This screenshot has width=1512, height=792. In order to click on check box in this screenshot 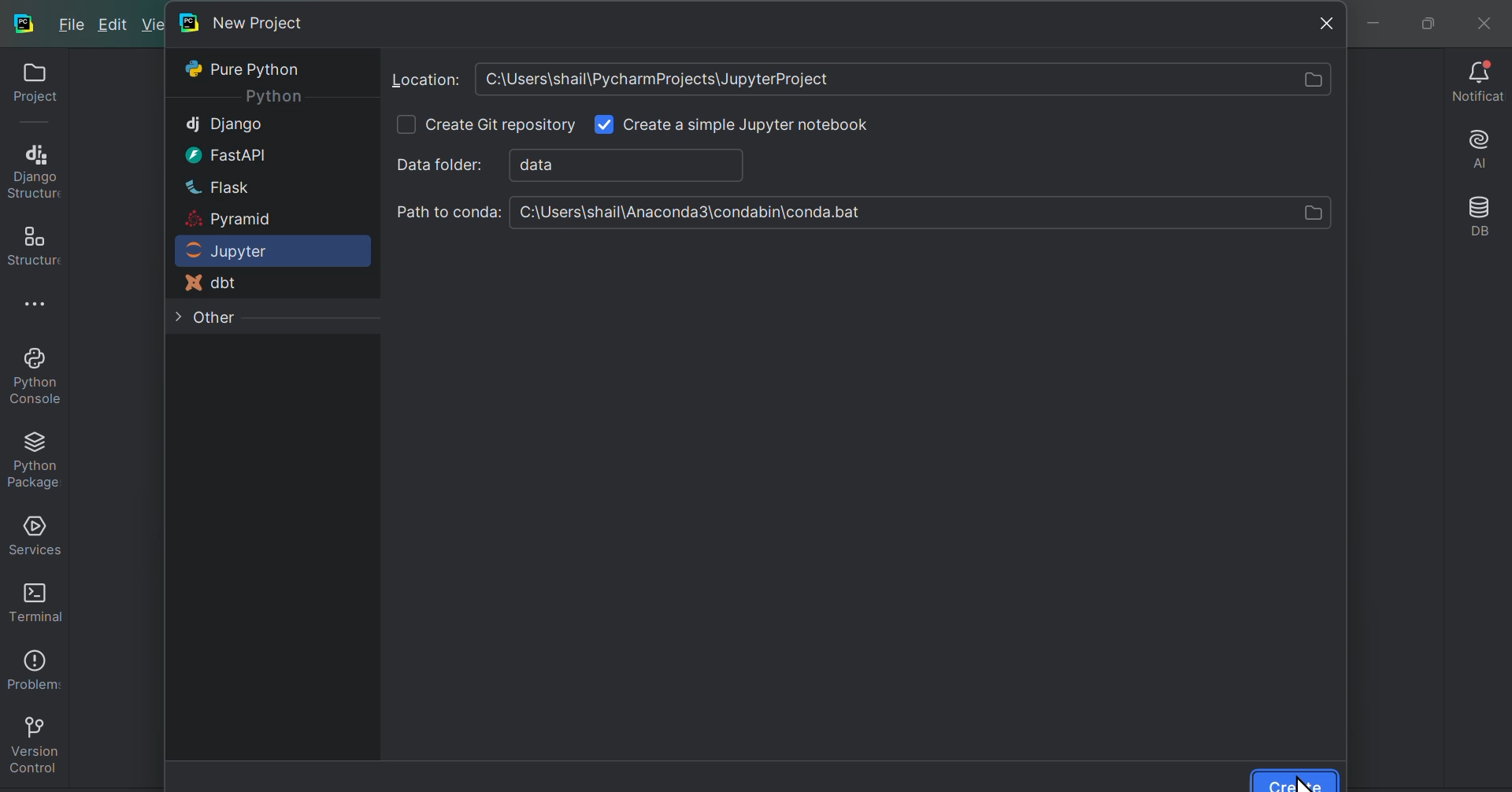, I will do `click(408, 124)`.